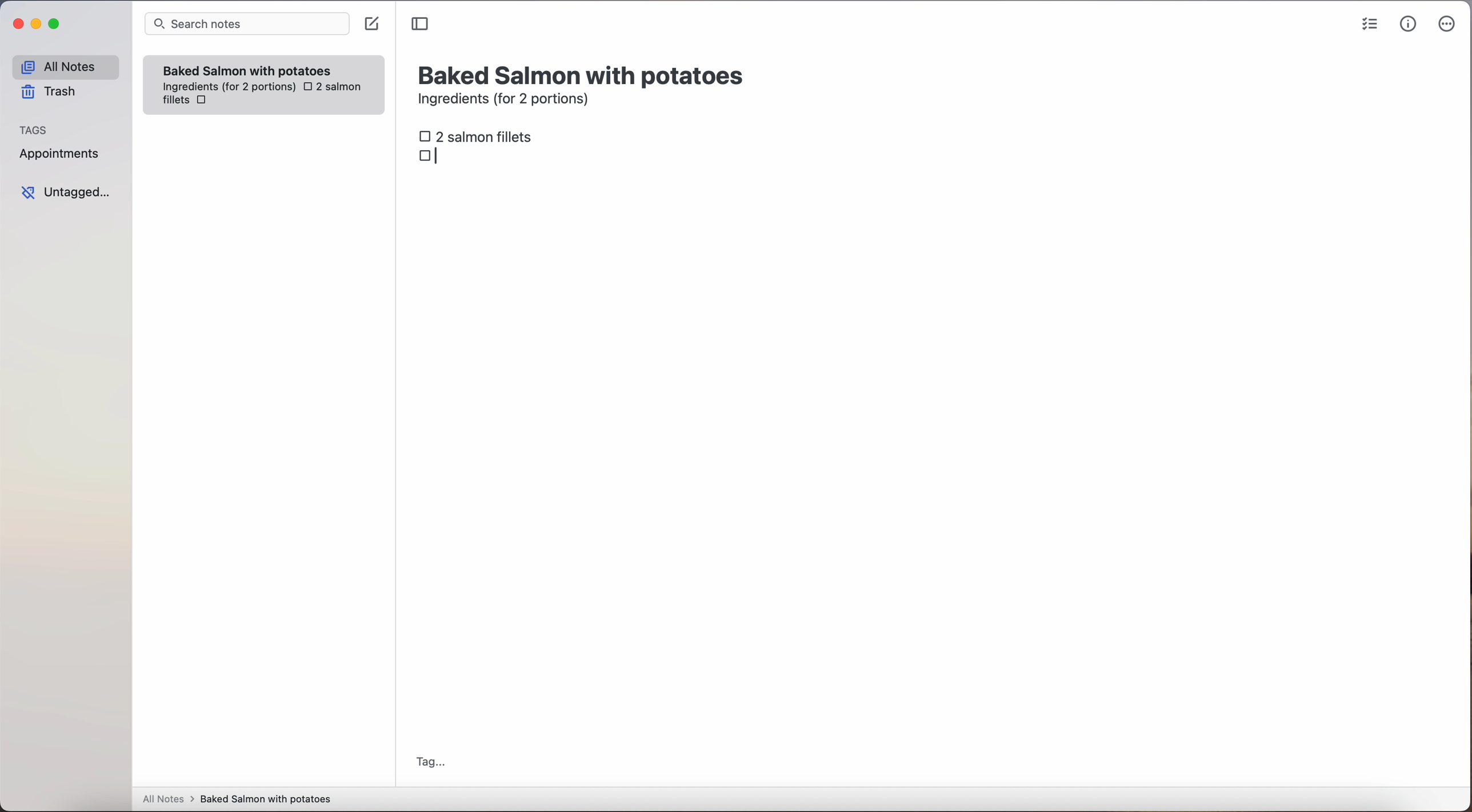 The height and width of the screenshot is (812, 1472). What do you see at coordinates (247, 69) in the screenshot?
I see `Baked Salmon with potatoes` at bounding box center [247, 69].